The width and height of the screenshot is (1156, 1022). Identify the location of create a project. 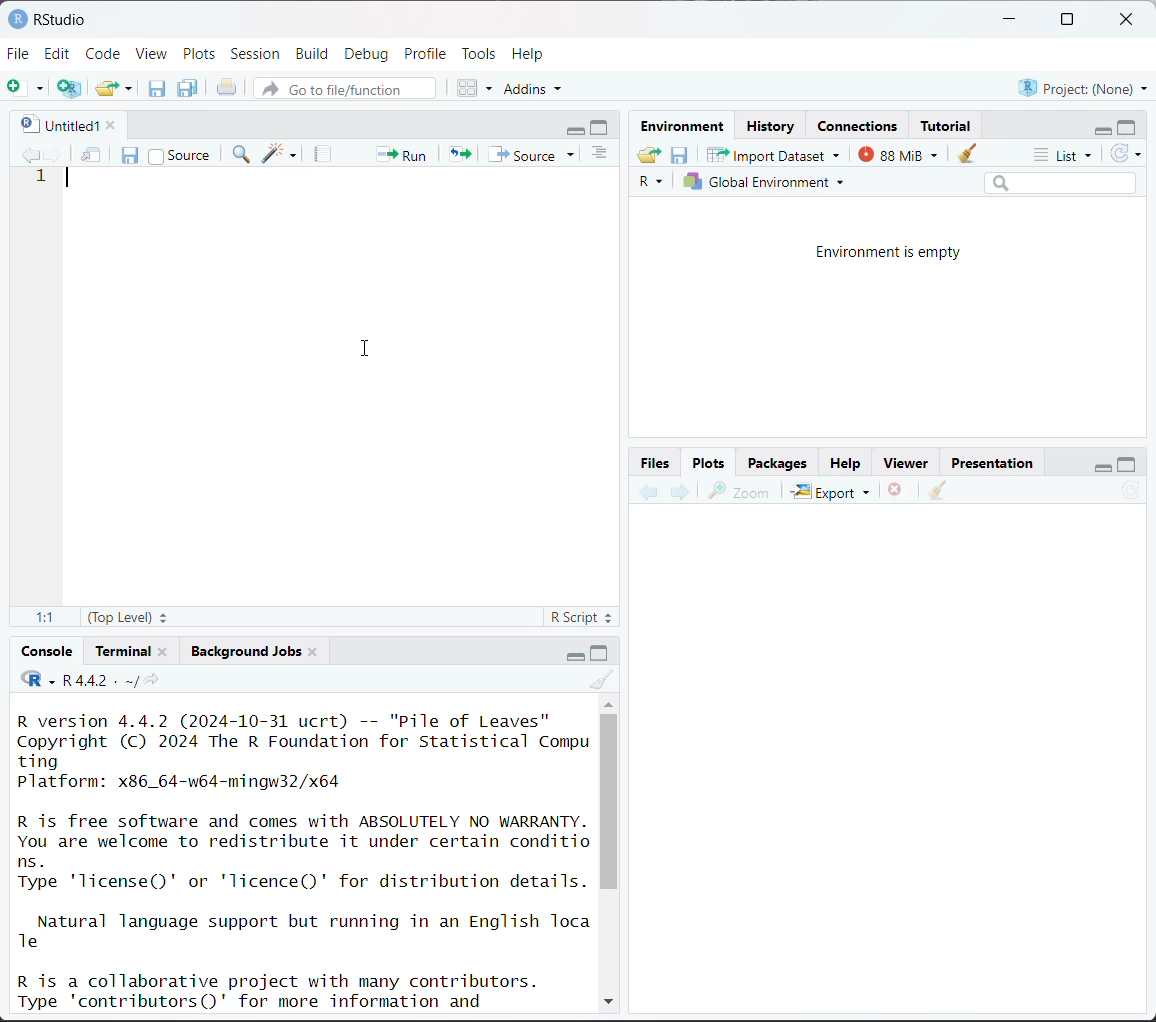
(69, 88).